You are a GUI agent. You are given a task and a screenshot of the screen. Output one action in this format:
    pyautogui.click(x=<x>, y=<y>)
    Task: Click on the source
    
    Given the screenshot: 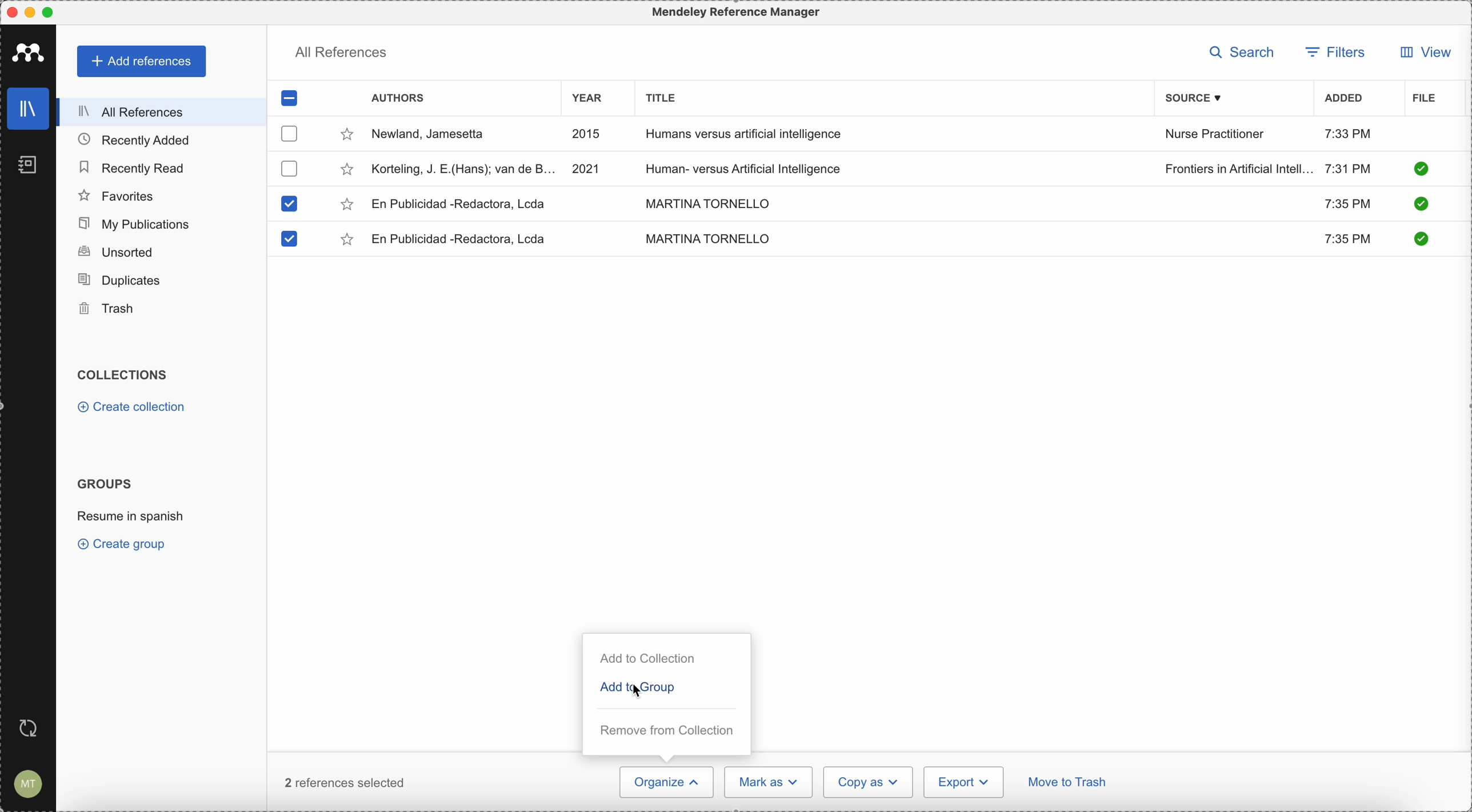 What is the action you would take?
    pyautogui.click(x=1202, y=98)
    